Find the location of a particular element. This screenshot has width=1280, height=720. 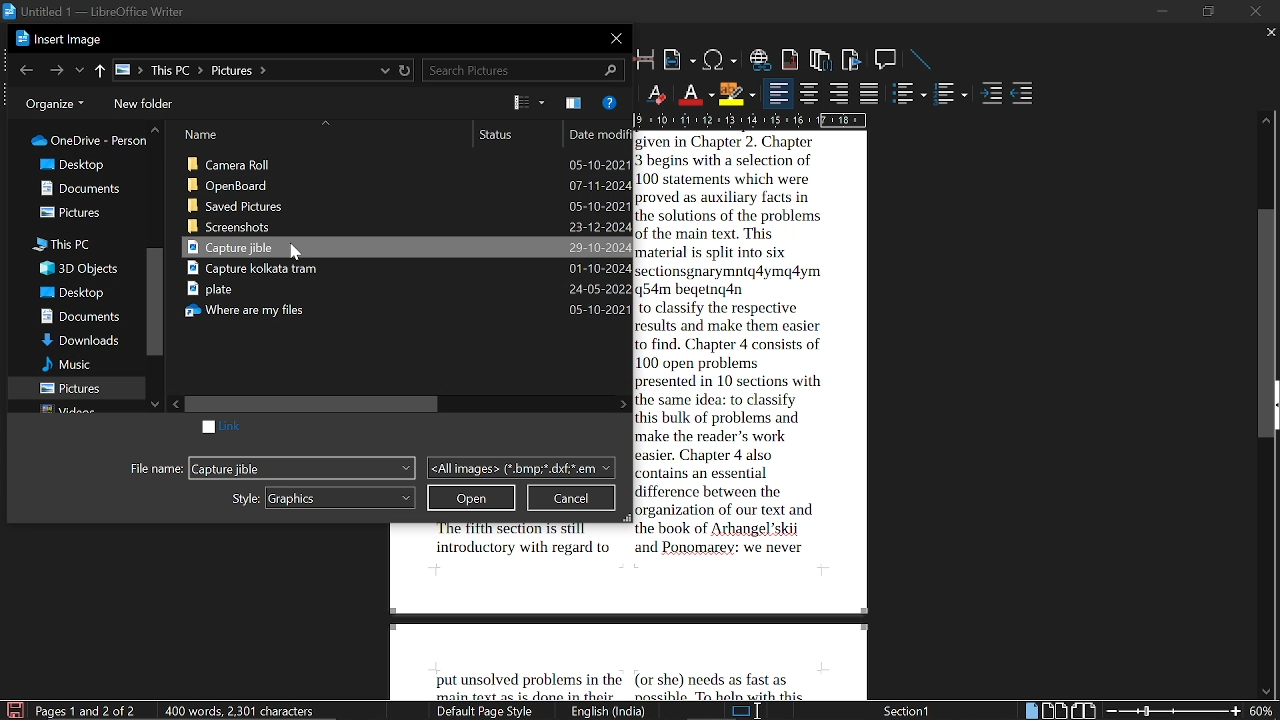

scale is located at coordinates (751, 119).